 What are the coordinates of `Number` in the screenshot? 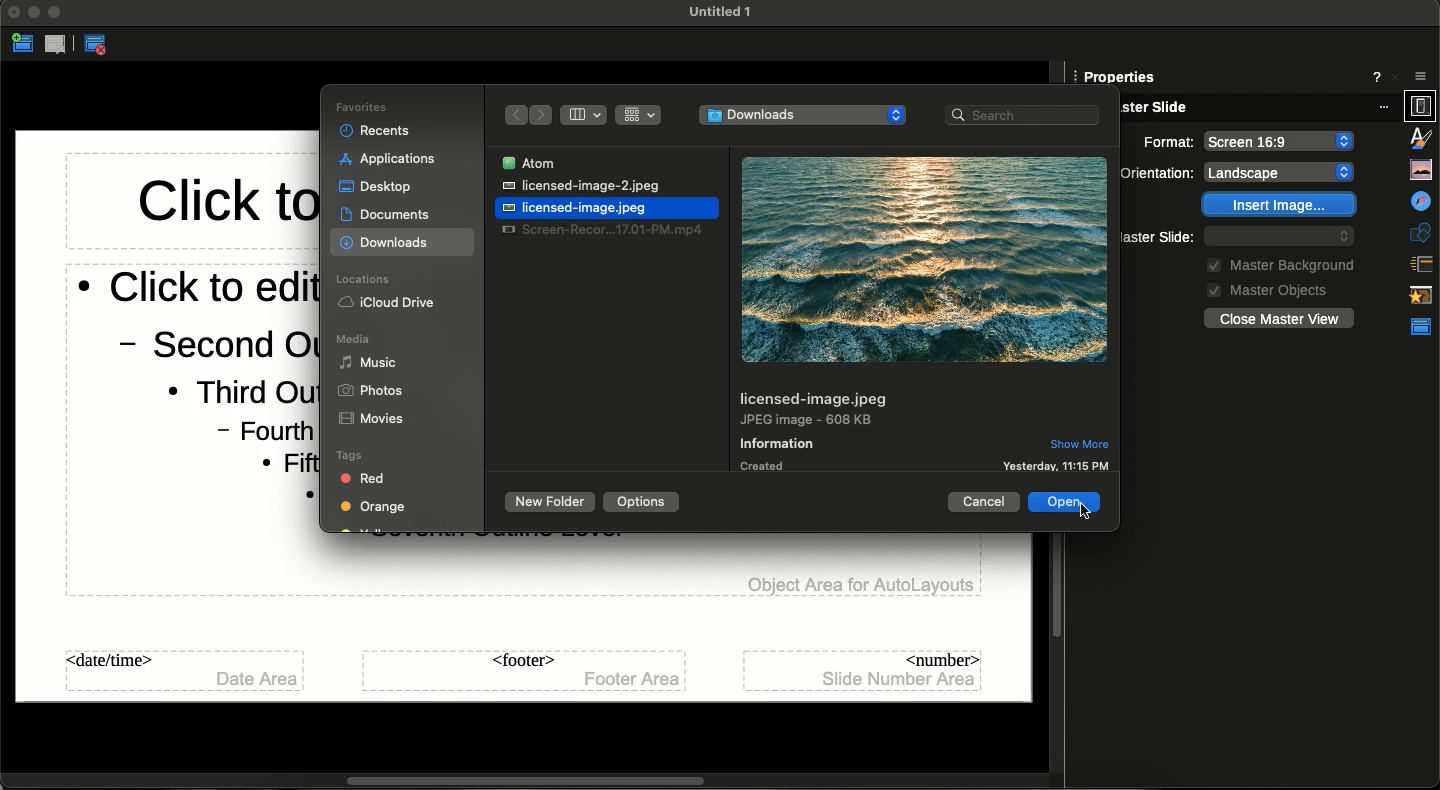 It's located at (863, 668).